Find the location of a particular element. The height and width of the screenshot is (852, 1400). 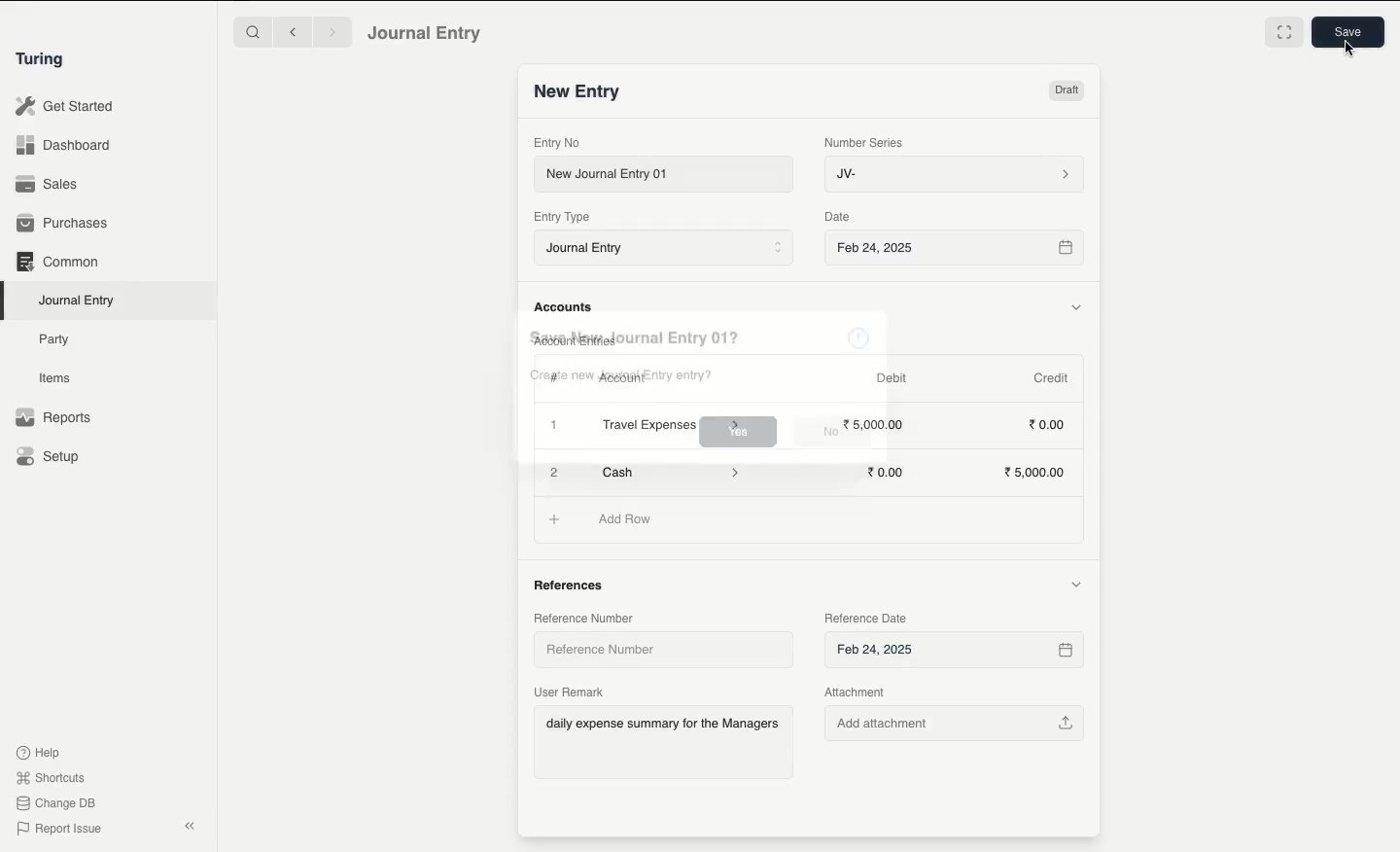

Accounts is located at coordinates (565, 307).